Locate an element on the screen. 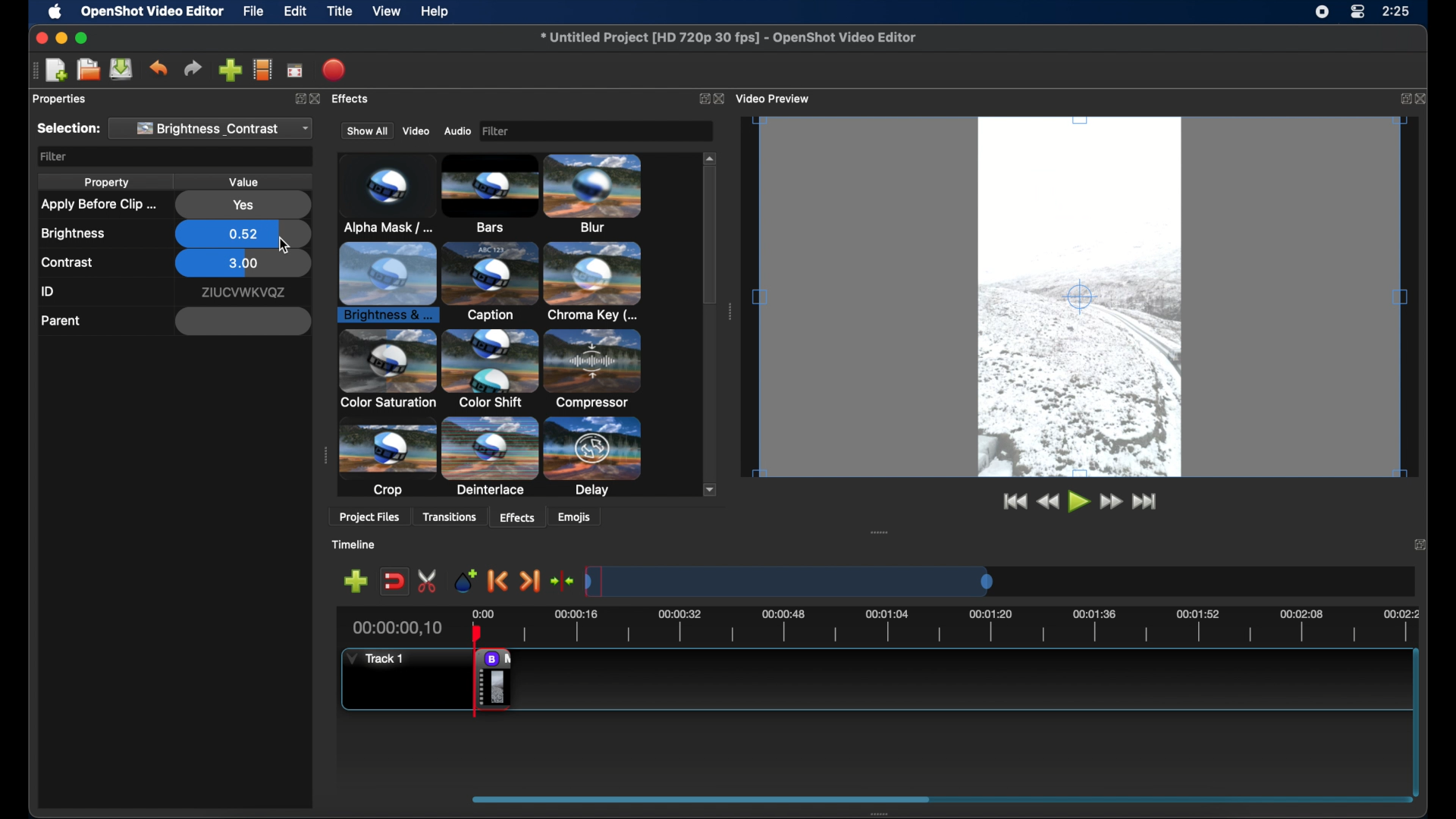 The image size is (1456, 819). next marker is located at coordinates (532, 581).